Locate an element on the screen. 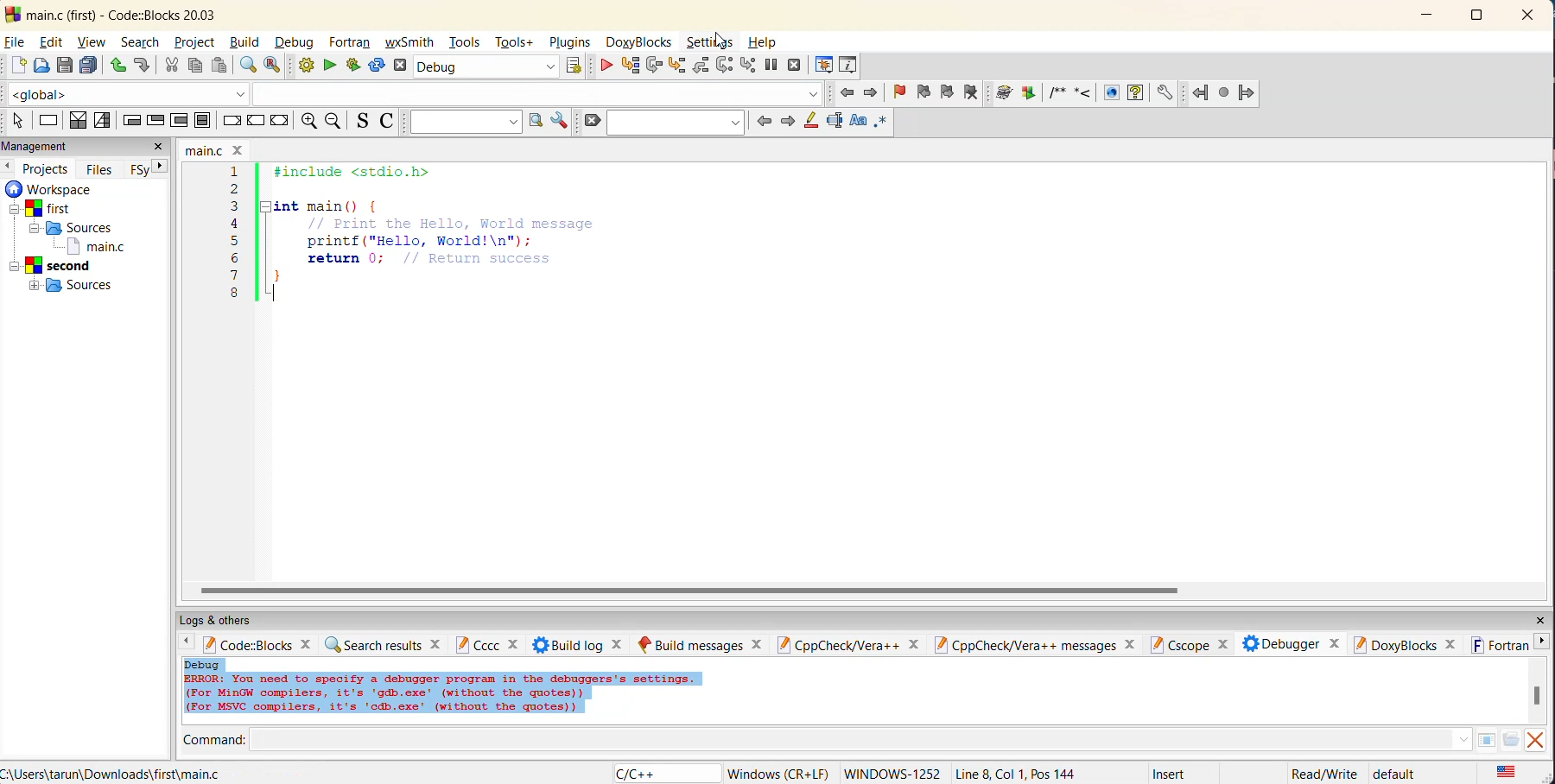 The height and width of the screenshot is (784, 1555). selected text is located at coordinates (836, 122).